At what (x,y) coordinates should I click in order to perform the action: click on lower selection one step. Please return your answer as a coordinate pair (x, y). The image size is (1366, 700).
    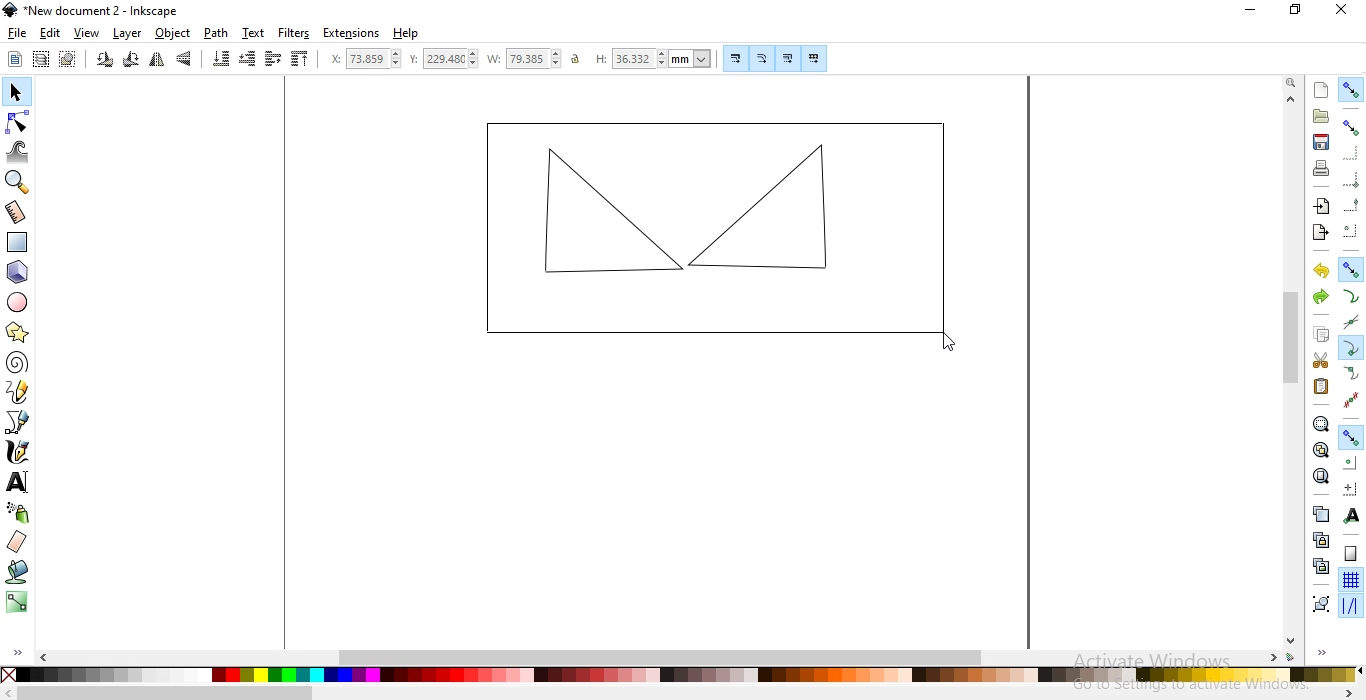
    Looking at the image, I should click on (248, 60).